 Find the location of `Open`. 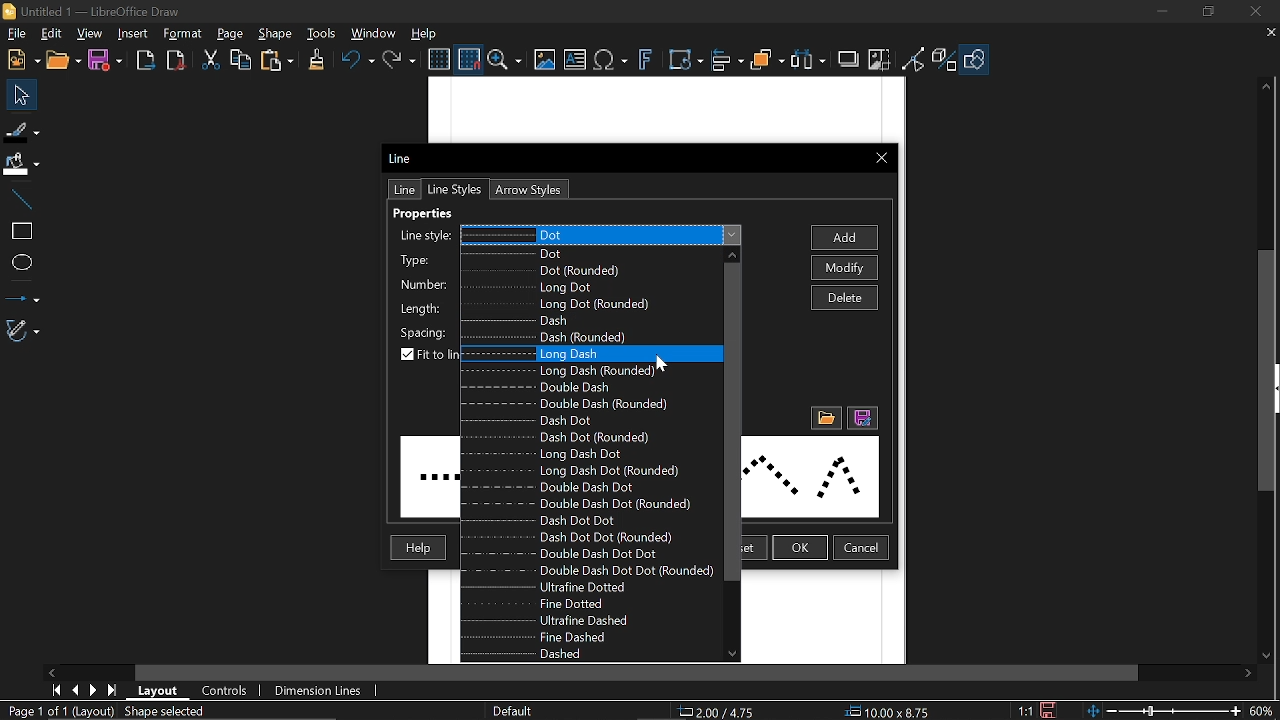

Open is located at coordinates (62, 61).